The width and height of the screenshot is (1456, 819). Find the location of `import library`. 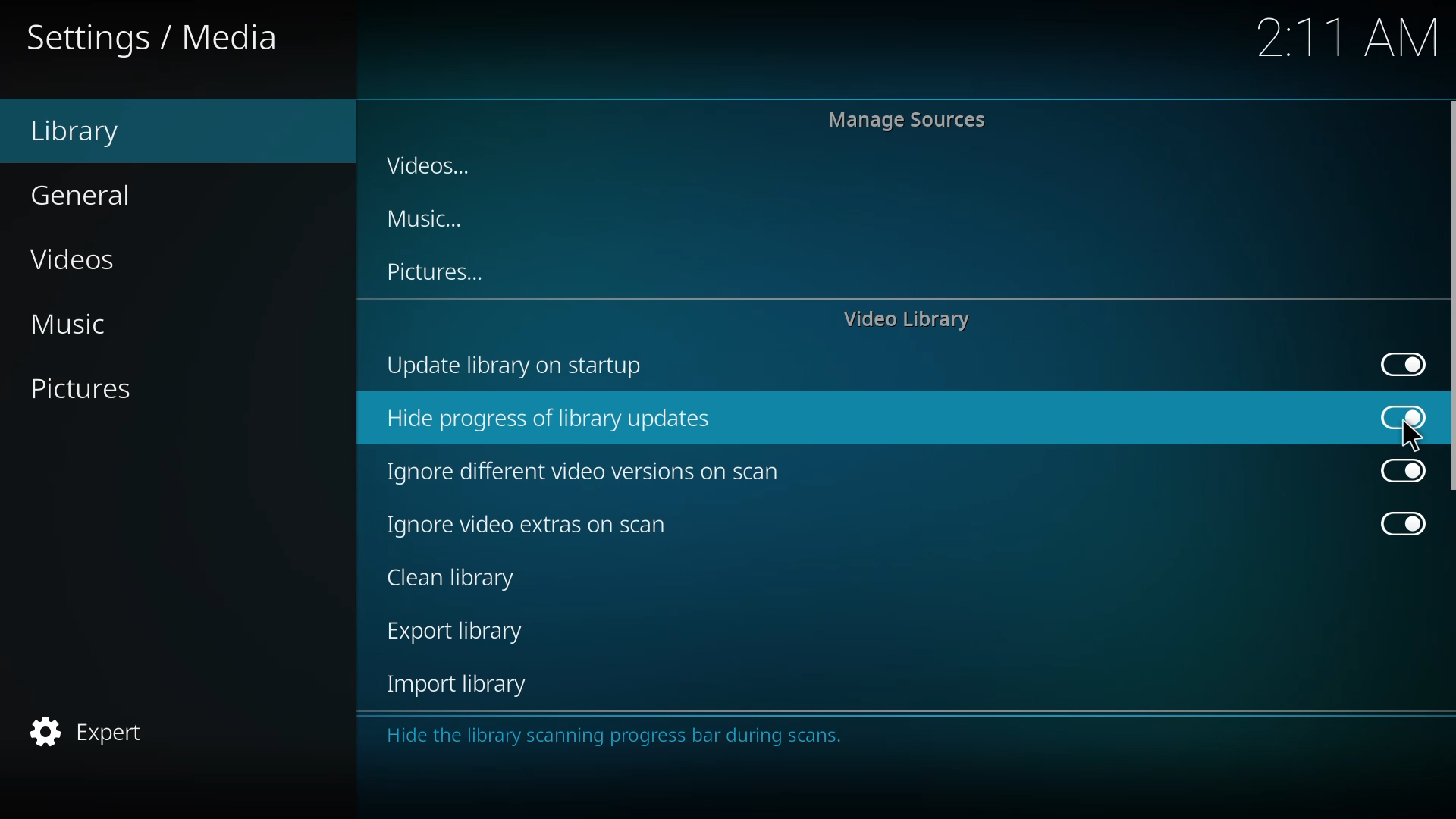

import library is located at coordinates (460, 687).